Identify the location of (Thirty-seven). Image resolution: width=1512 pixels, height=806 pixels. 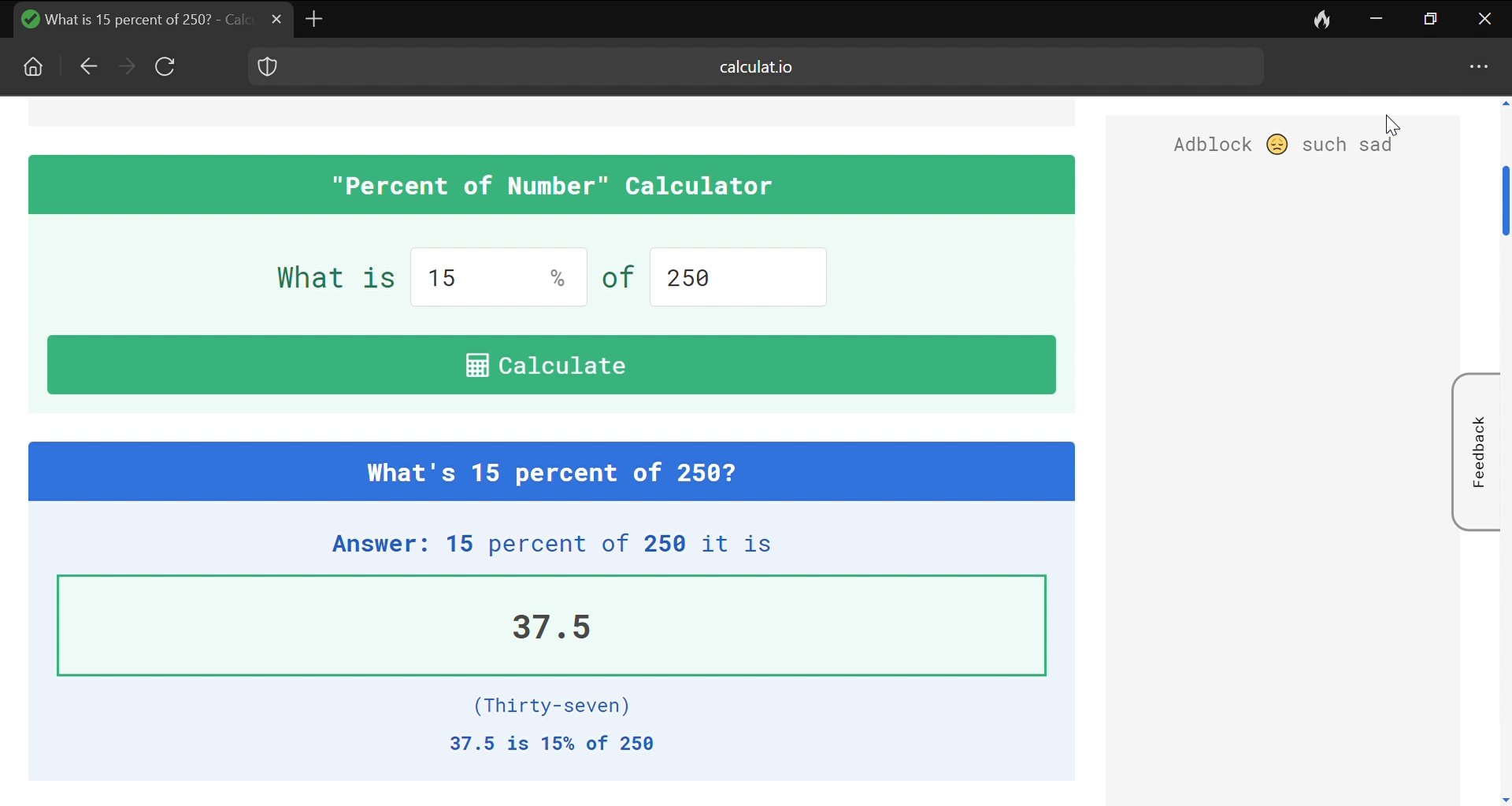
(537, 704).